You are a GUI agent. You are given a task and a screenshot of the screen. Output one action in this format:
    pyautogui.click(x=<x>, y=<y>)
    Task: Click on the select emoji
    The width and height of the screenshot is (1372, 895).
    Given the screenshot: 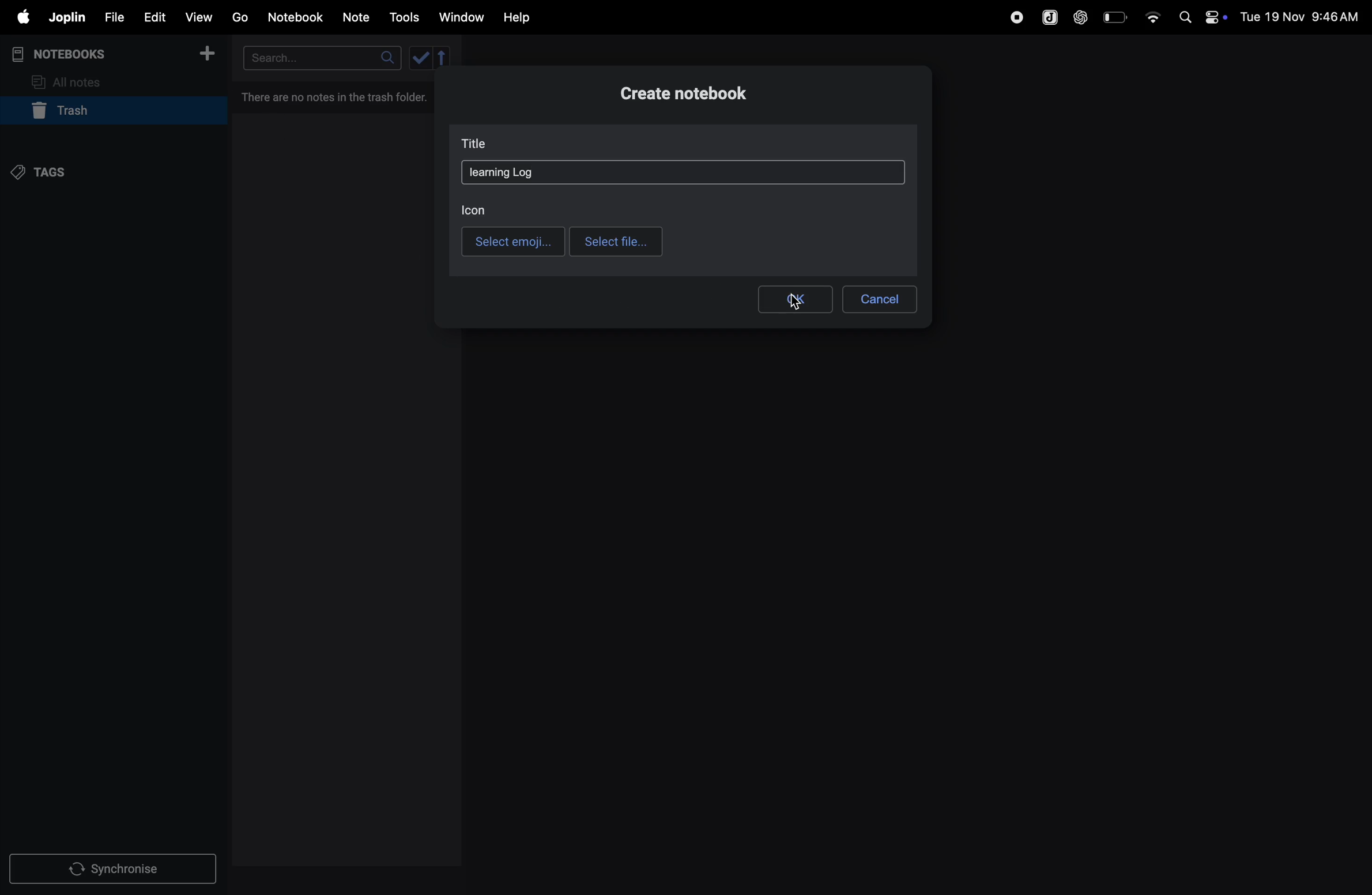 What is the action you would take?
    pyautogui.click(x=513, y=241)
    